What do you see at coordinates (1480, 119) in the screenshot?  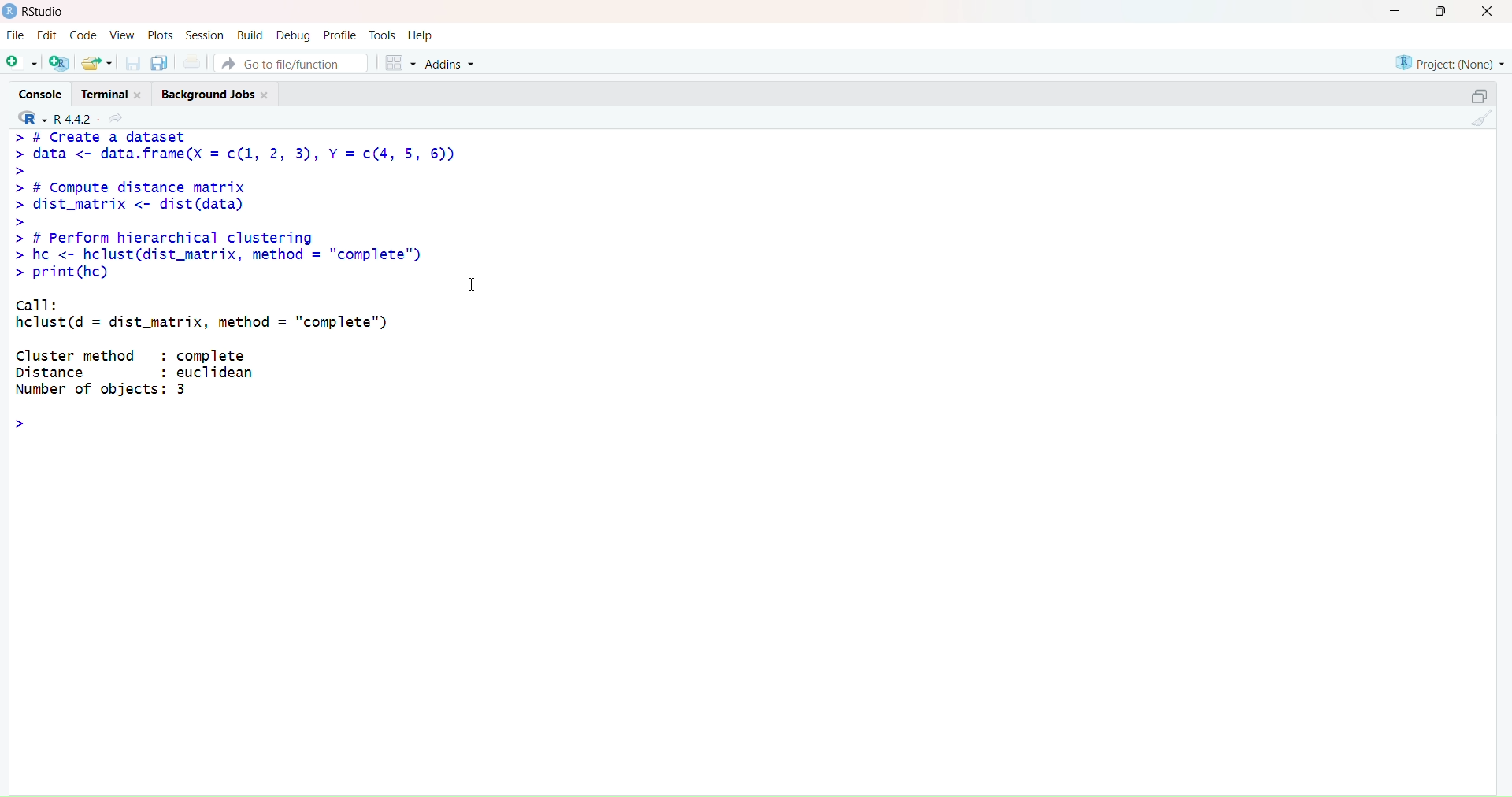 I see `Clear Console (Ctrl + L)` at bounding box center [1480, 119].